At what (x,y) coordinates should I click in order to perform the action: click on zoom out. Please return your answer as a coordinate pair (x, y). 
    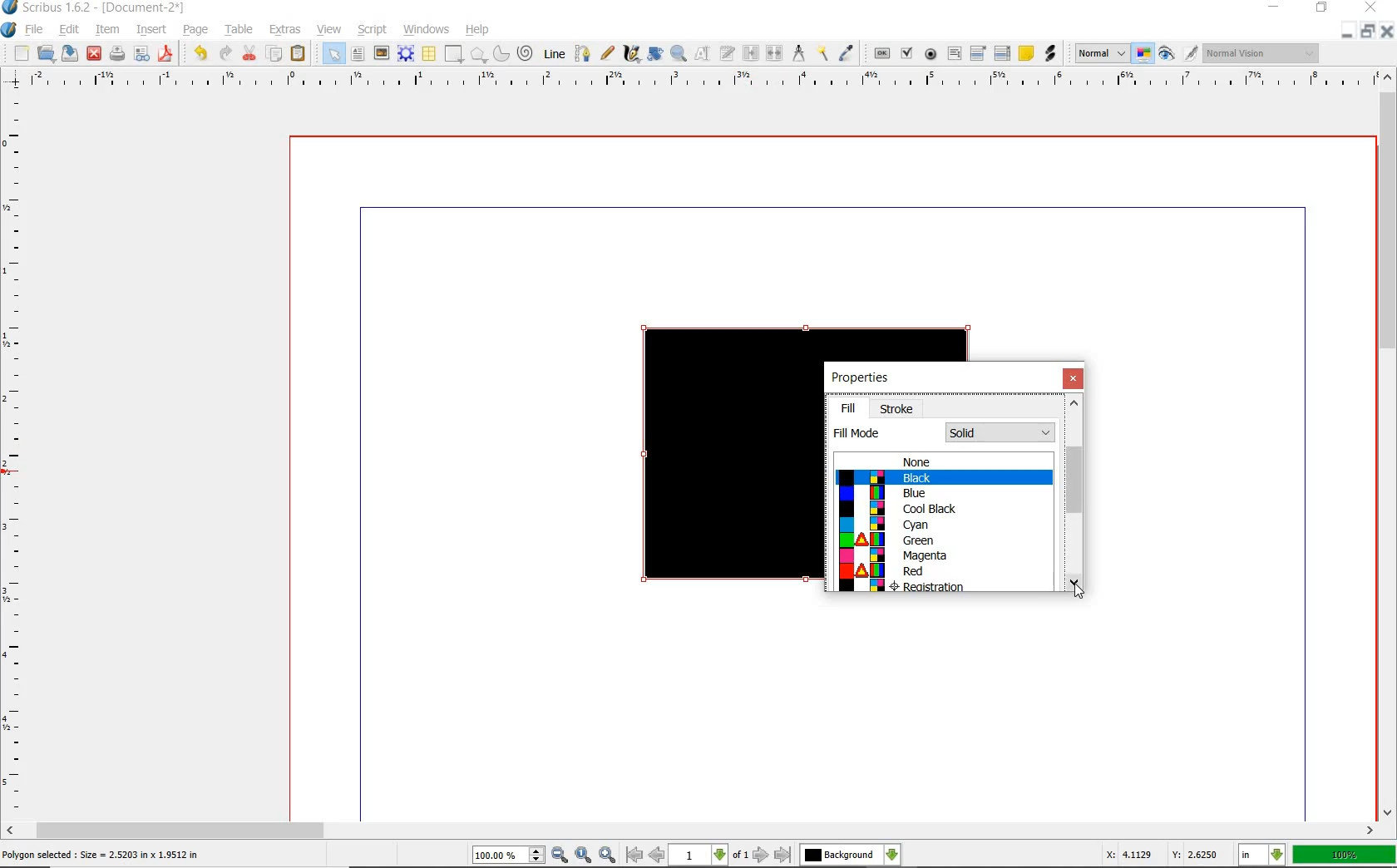
    Looking at the image, I should click on (560, 855).